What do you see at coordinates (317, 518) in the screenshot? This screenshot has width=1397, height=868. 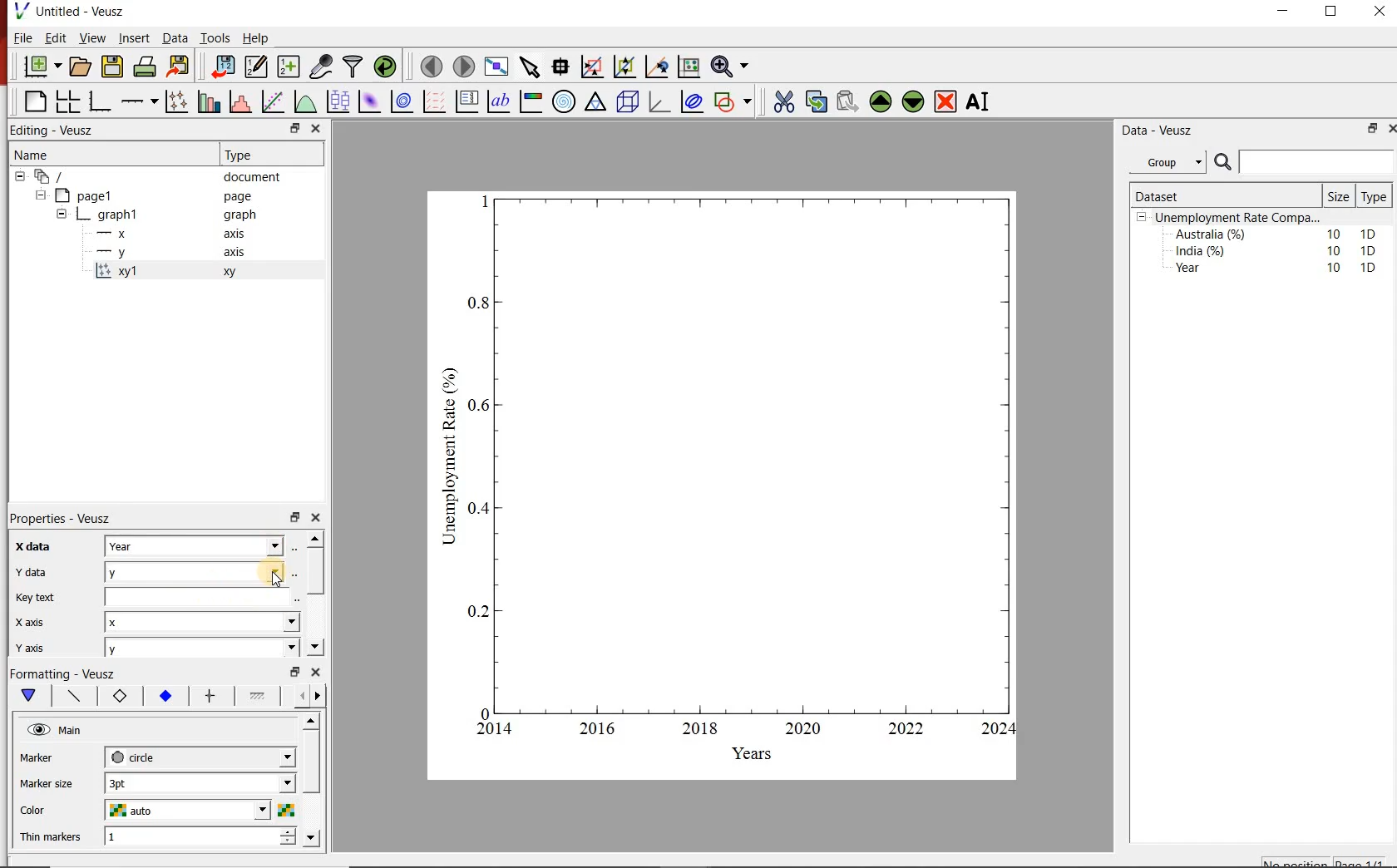 I see `close` at bounding box center [317, 518].